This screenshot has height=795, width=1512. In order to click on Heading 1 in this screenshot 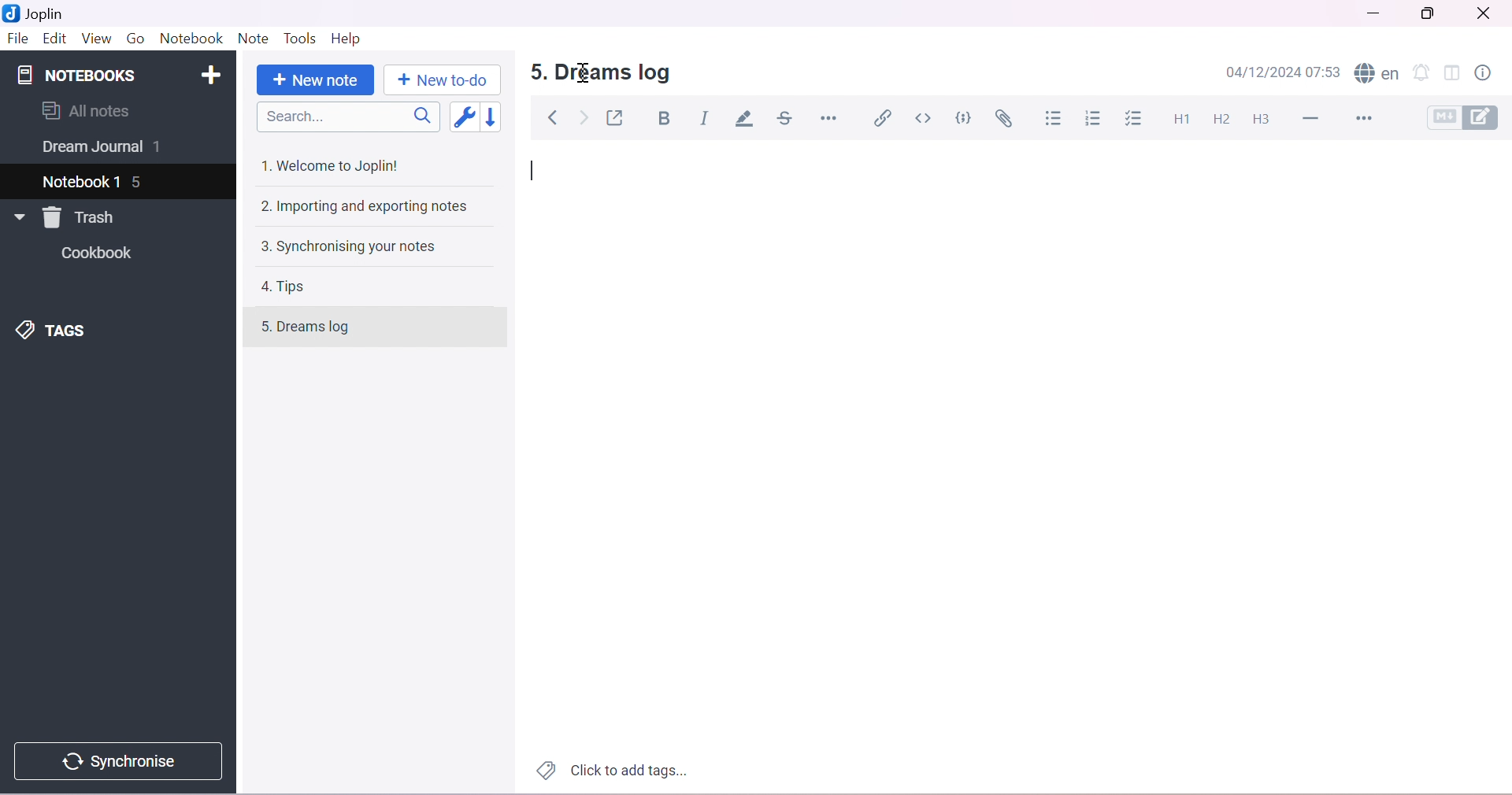, I will do `click(1184, 118)`.